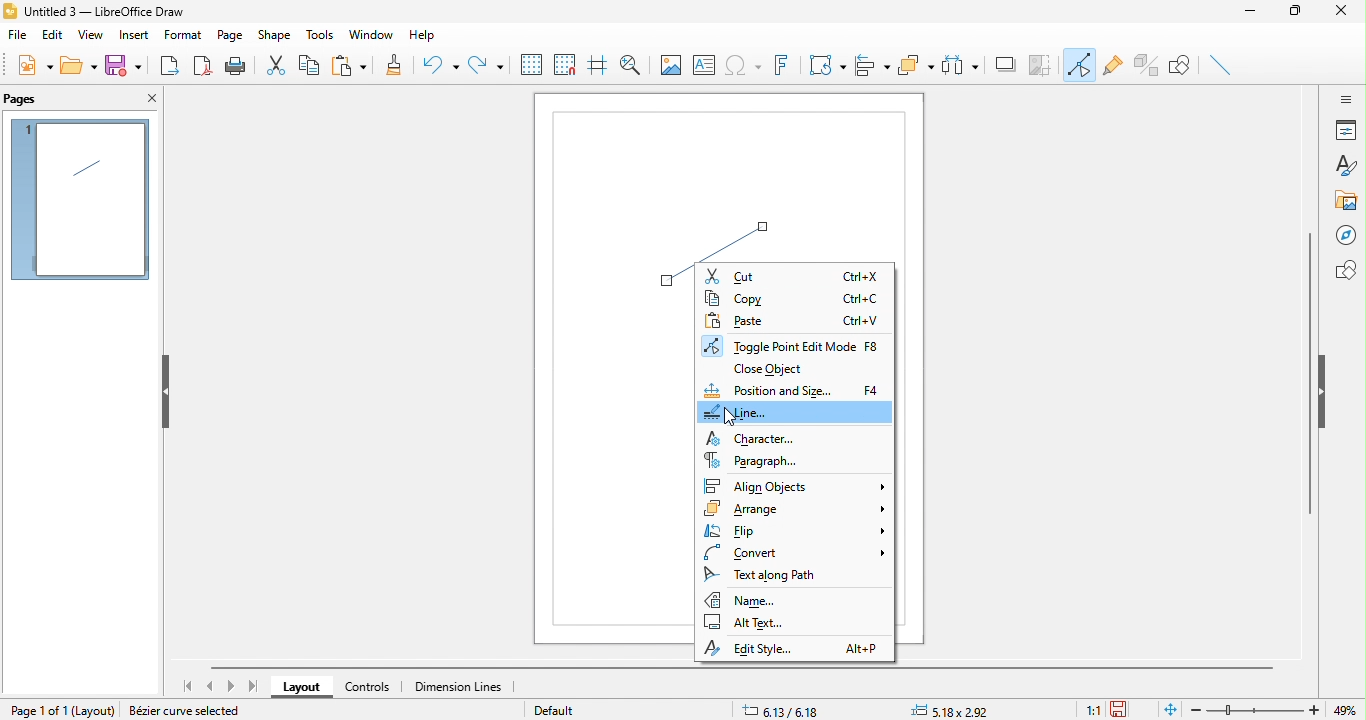  Describe the element at coordinates (195, 709) in the screenshot. I see `bezier curve selected` at that location.